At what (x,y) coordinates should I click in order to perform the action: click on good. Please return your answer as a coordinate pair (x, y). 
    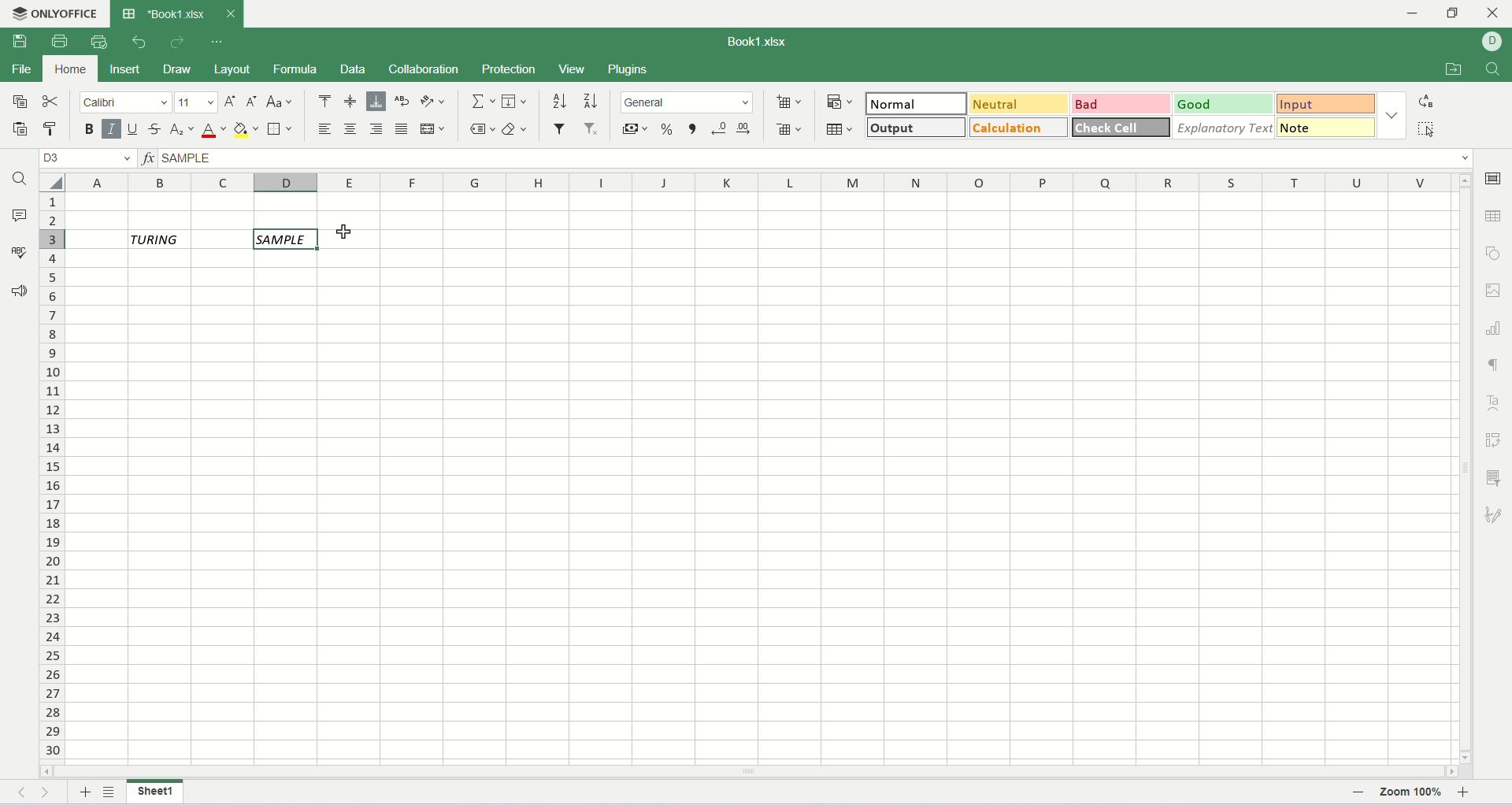
    Looking at the image, I should click on (1224, 104).